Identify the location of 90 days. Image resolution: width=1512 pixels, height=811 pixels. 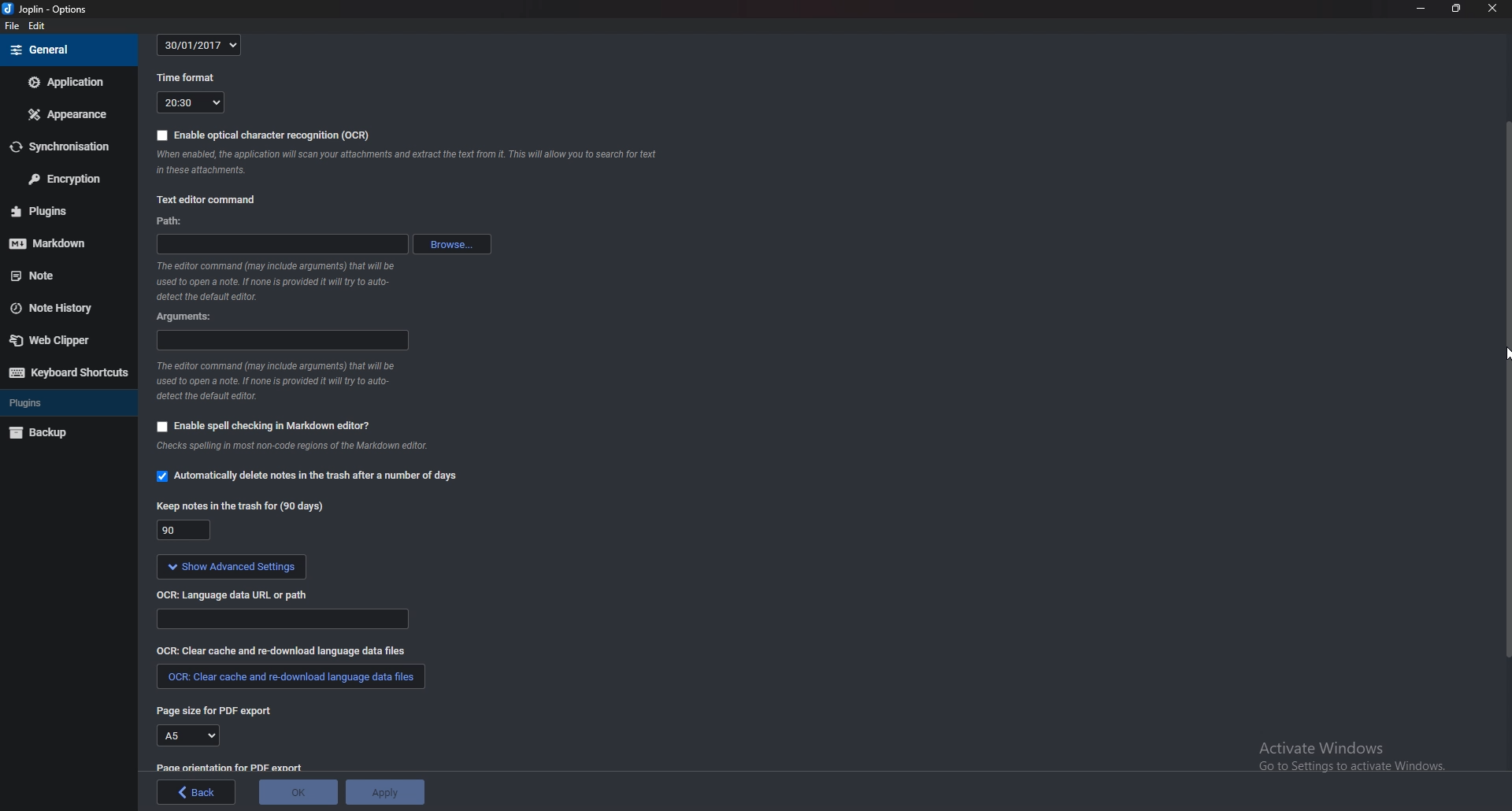
(183, 530).